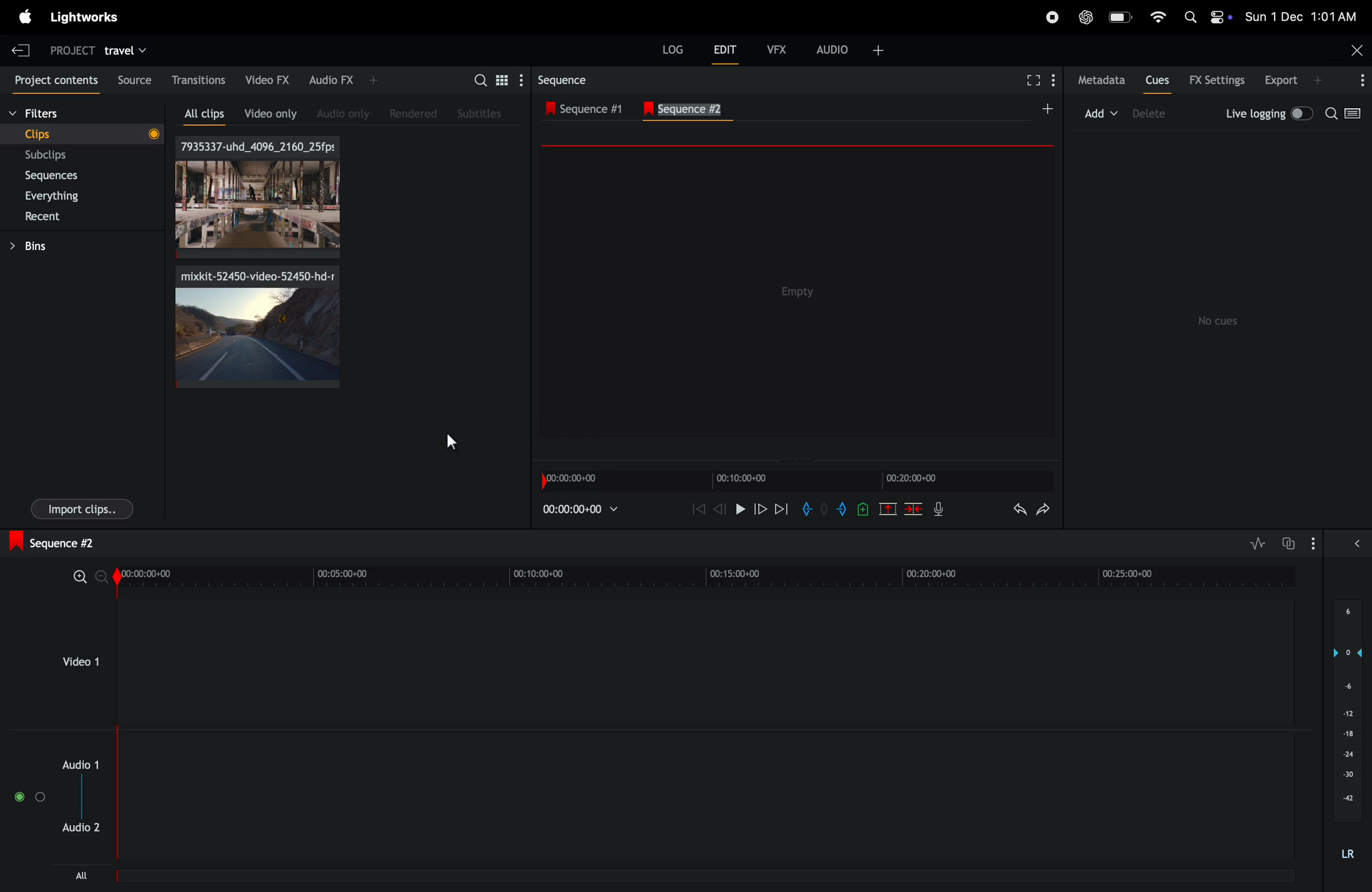  I want to click on chatgpt, so click(1086, 18).